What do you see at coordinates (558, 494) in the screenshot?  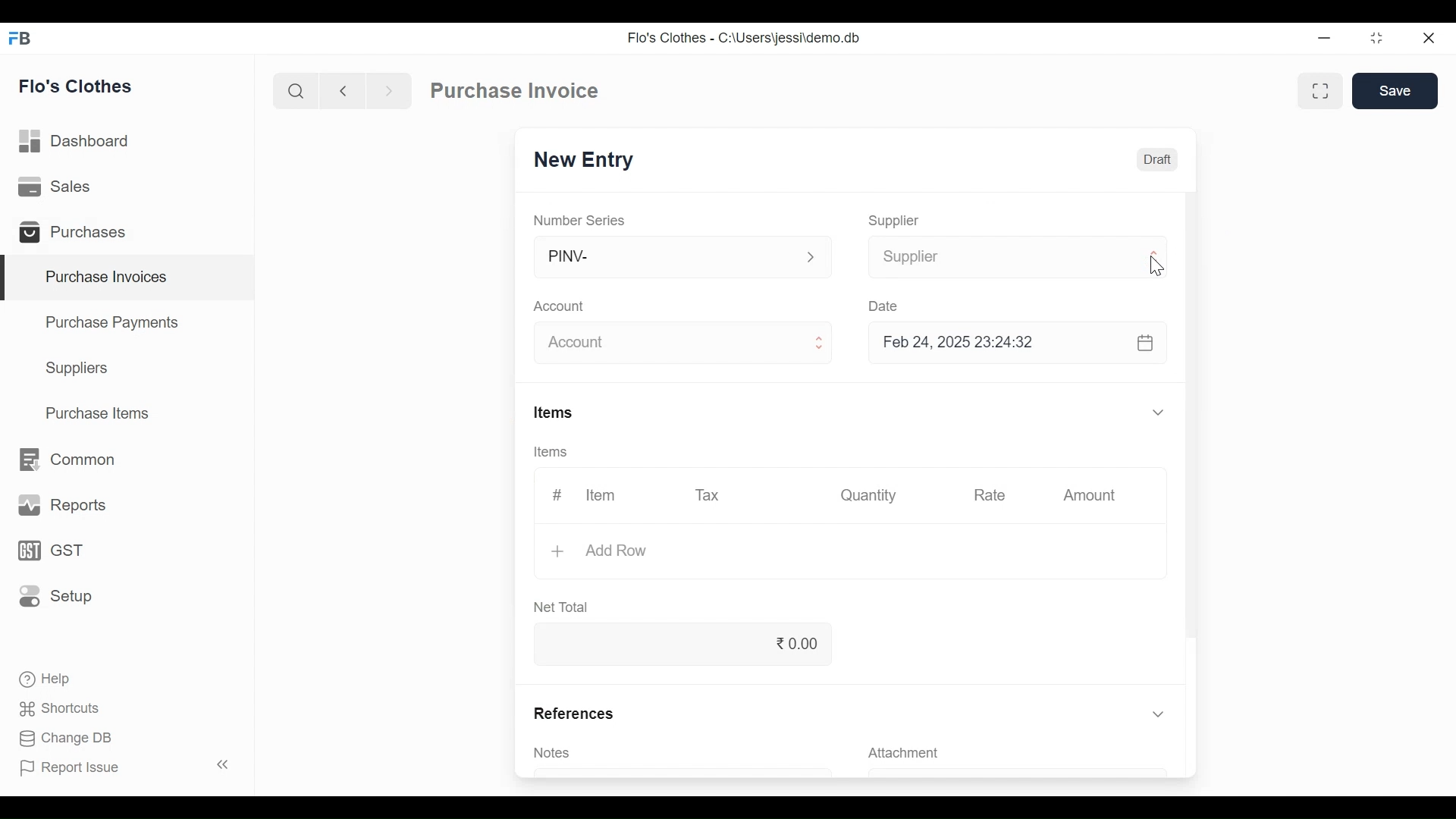 I see `#` at bounding box center [558, 494].